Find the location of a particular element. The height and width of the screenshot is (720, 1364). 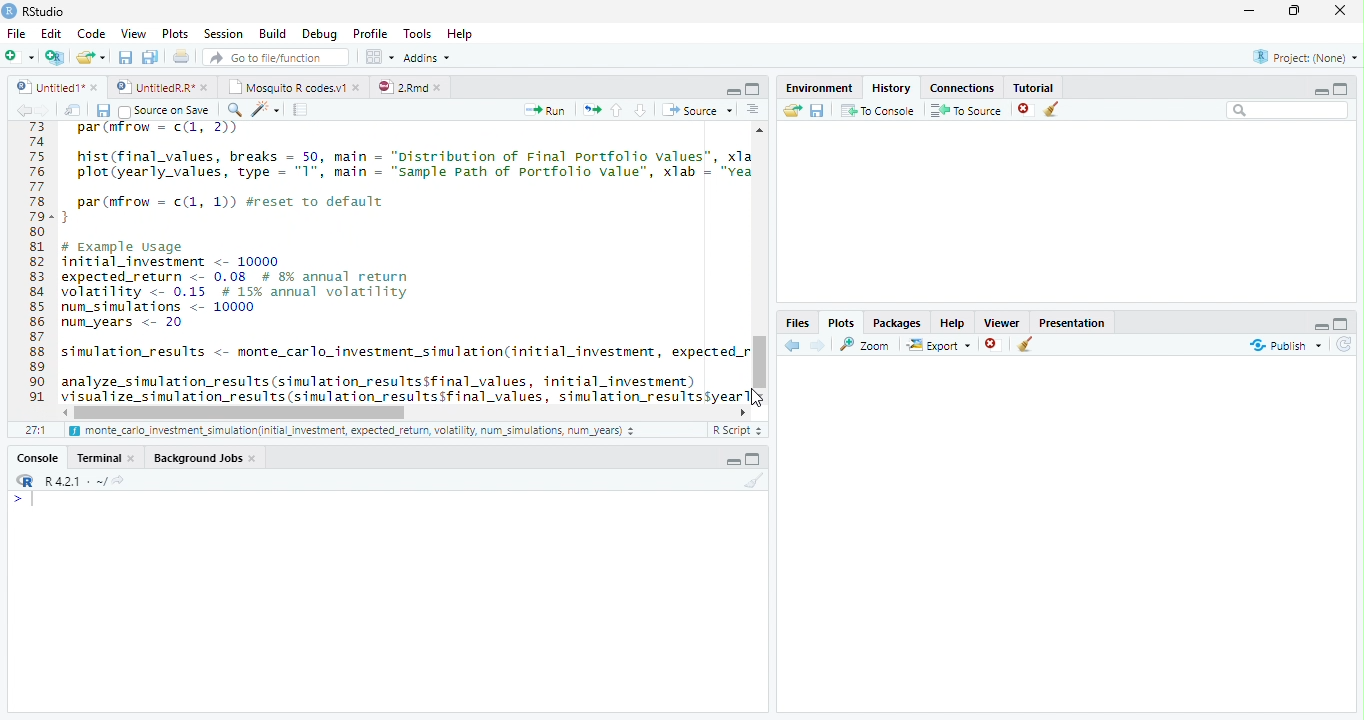

Addins is located at coordinates (428, 57).